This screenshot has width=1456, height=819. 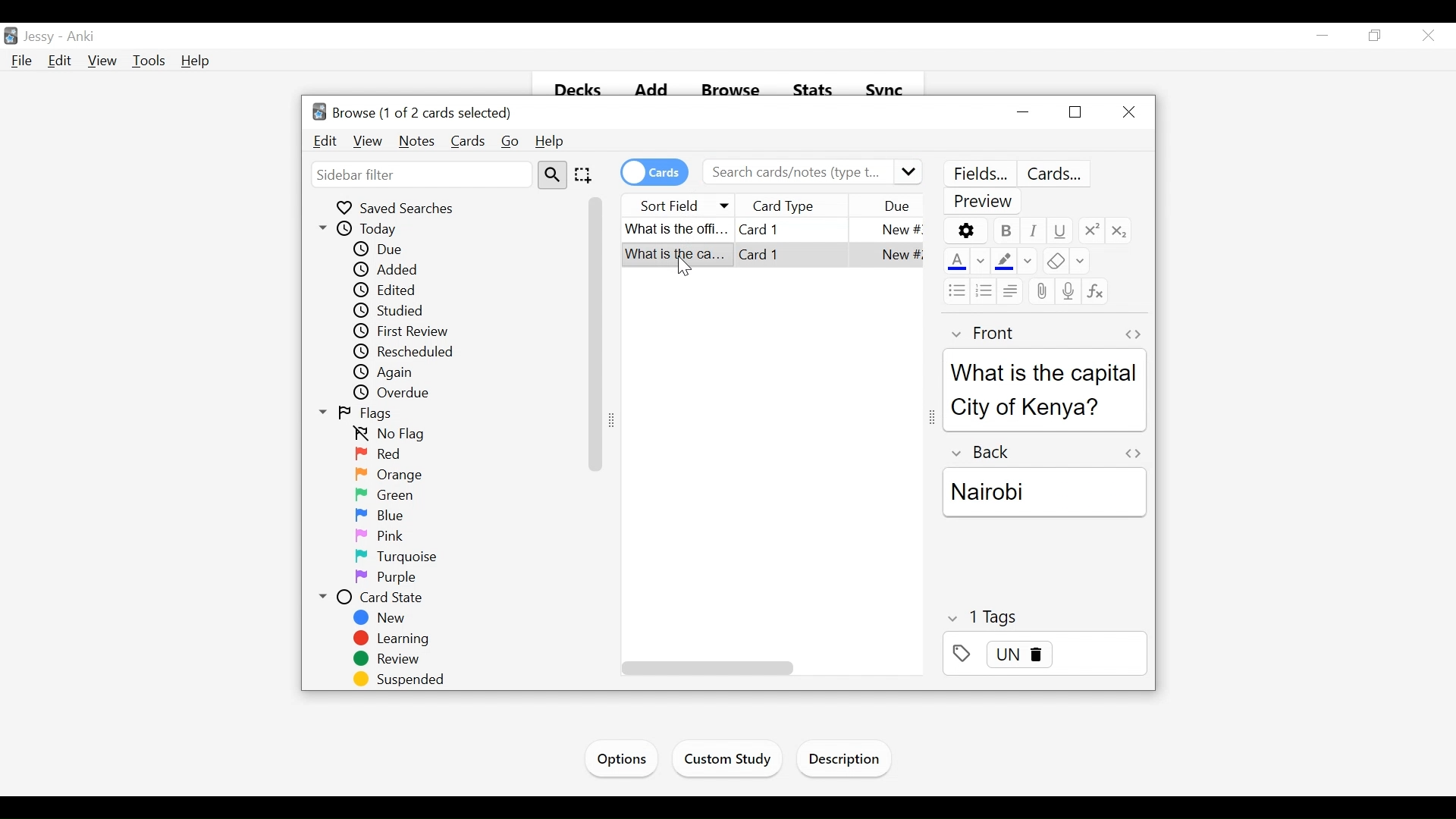 What do you see at coordinates (1045, 617) in the screenshot?
I see `T` at bounding box center [1045, 617].